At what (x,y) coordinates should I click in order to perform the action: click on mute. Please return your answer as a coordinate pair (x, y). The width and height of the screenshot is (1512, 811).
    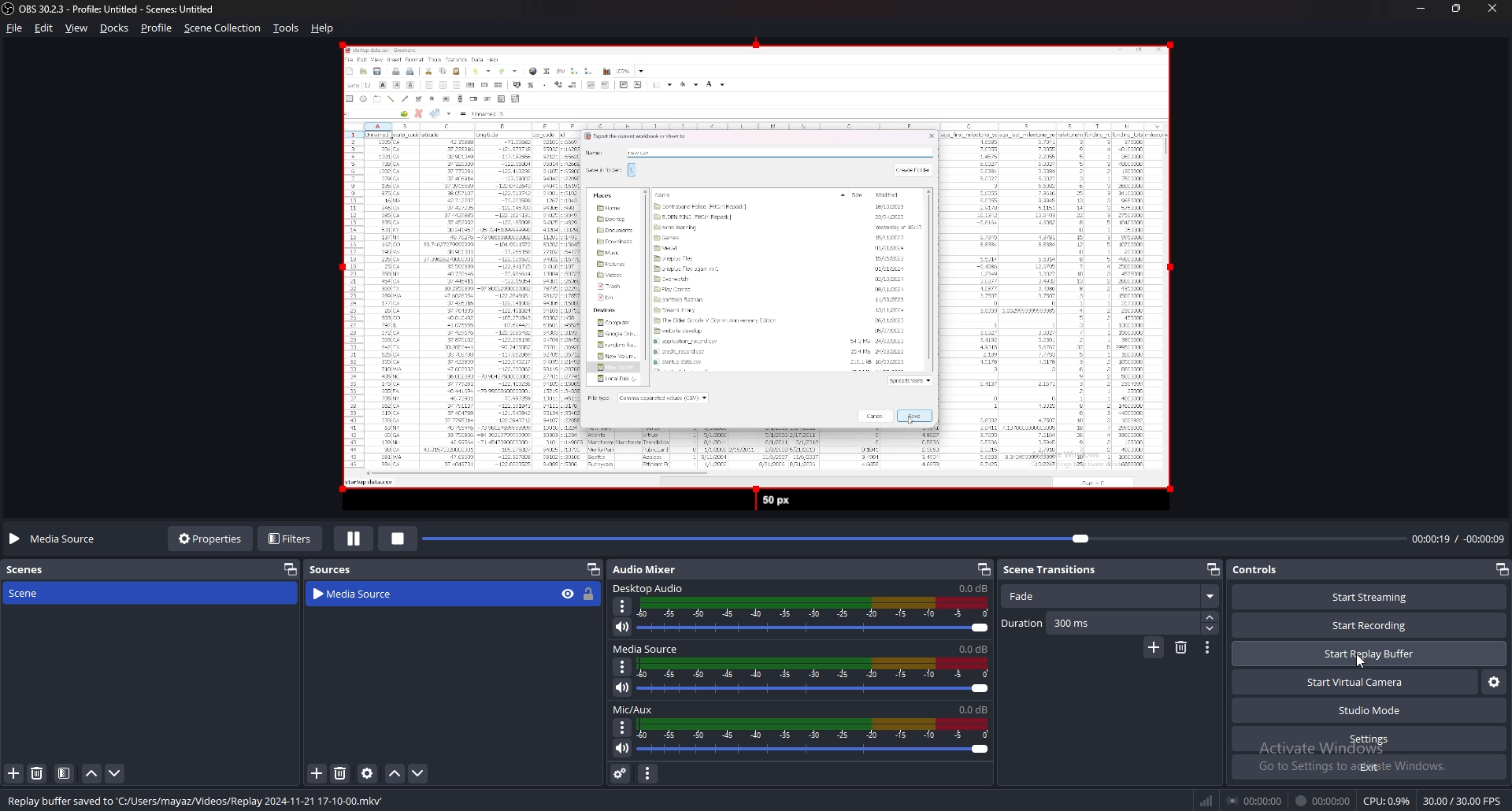
    Looking at the image, I should click on (624, 747).